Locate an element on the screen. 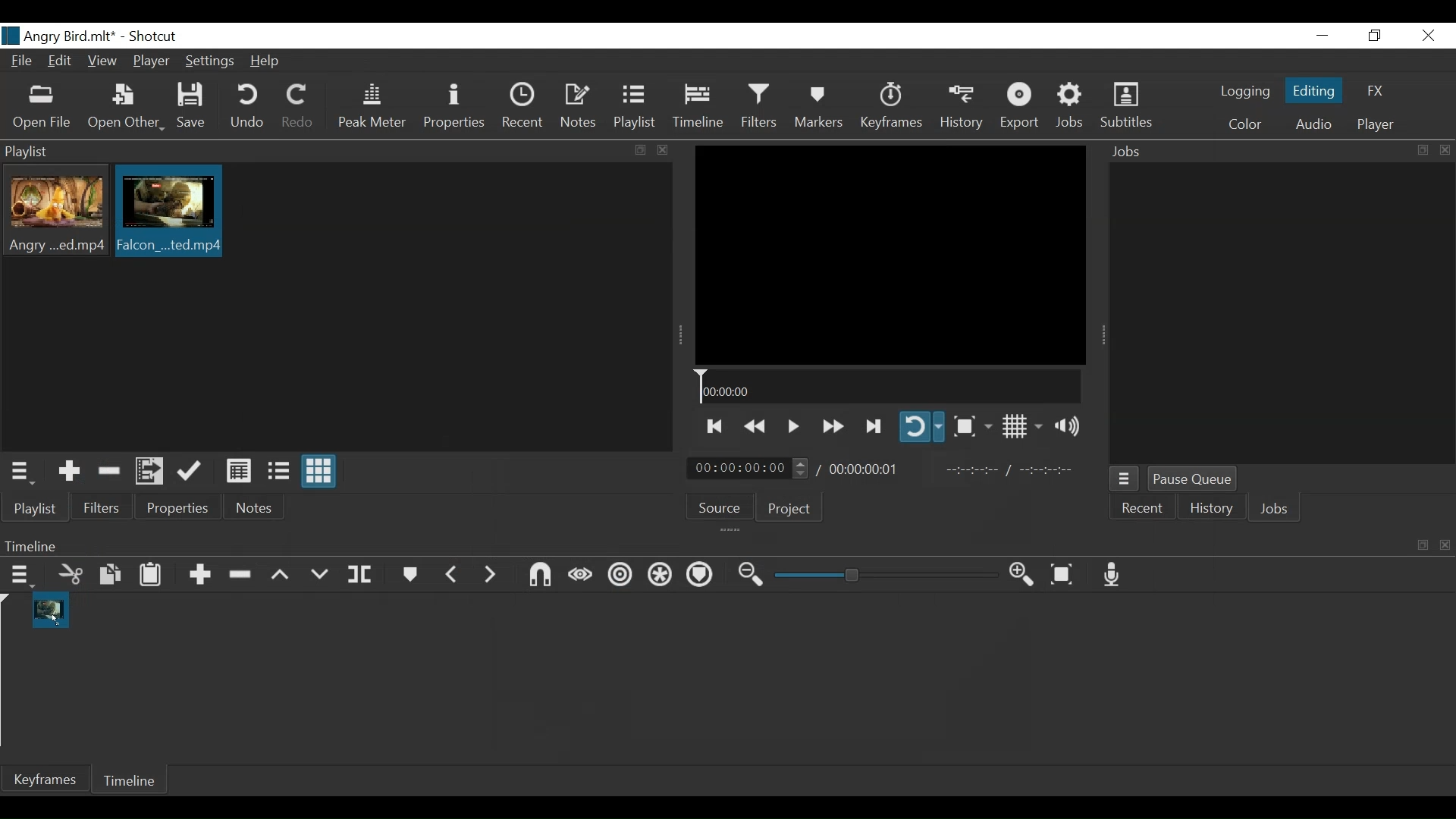 Image resolution: width=1456 pixels, height=819 pixels. Remove Cut is located at coordinates (111, 471).